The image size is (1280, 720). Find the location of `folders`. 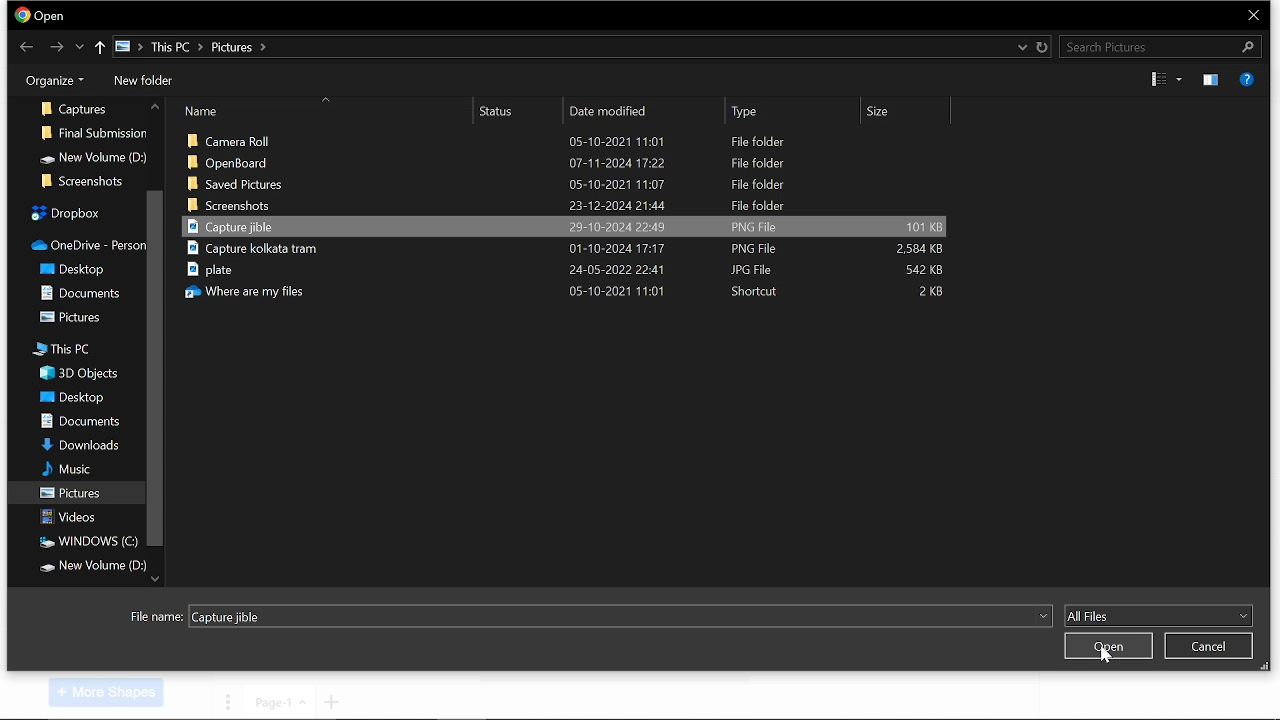

folders is located at coordinates (75, 292).